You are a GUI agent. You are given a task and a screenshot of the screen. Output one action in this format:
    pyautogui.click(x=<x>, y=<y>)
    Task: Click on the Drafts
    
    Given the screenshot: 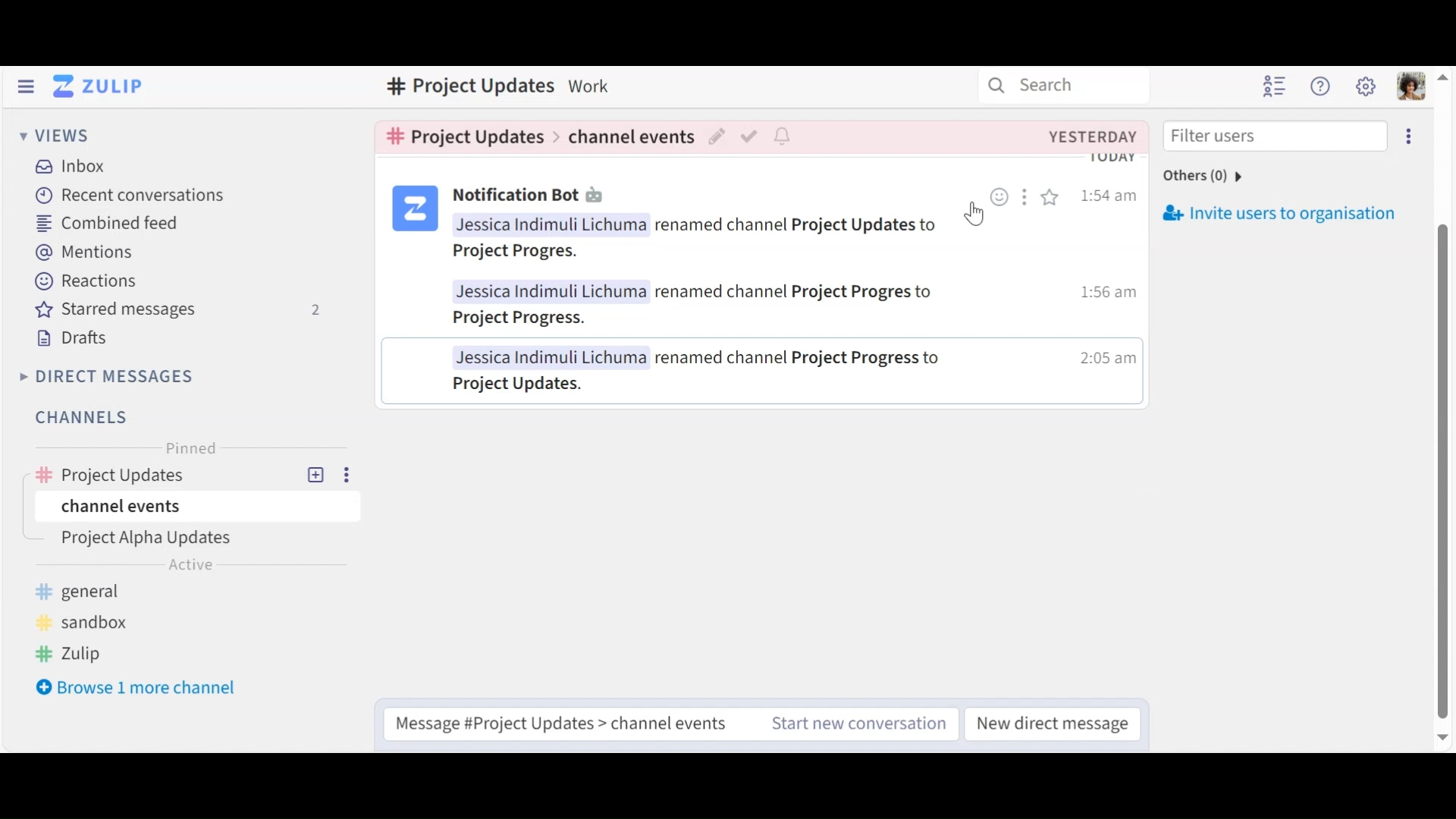 What is the action you would take?
    pyautogui.click(x=75, y=339)
    